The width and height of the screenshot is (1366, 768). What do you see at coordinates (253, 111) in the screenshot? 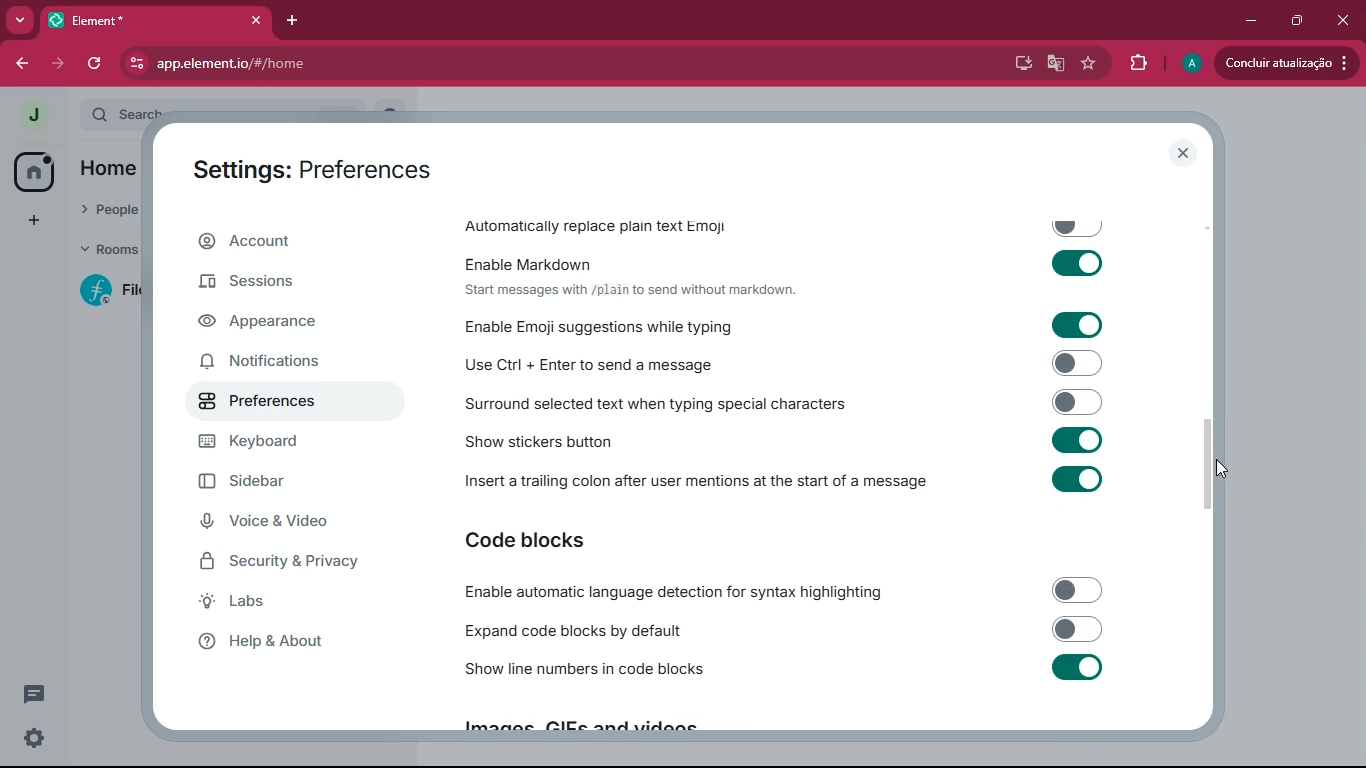
I see `Search` at bounding box center [253, 111].